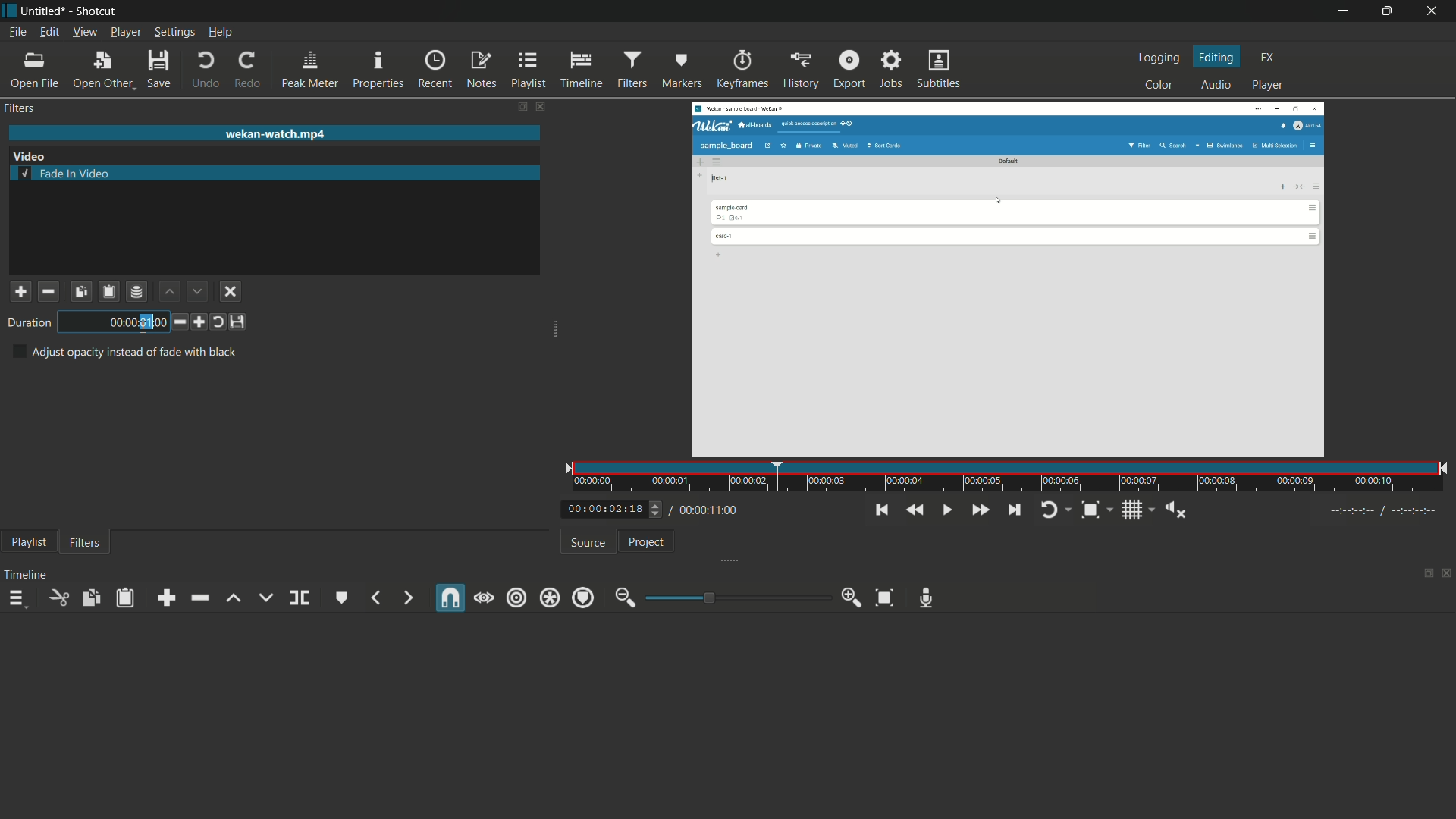  What do you see at coordinates (166, 598) in the screenshot?
I see `append` at bounding box center [166, 598].